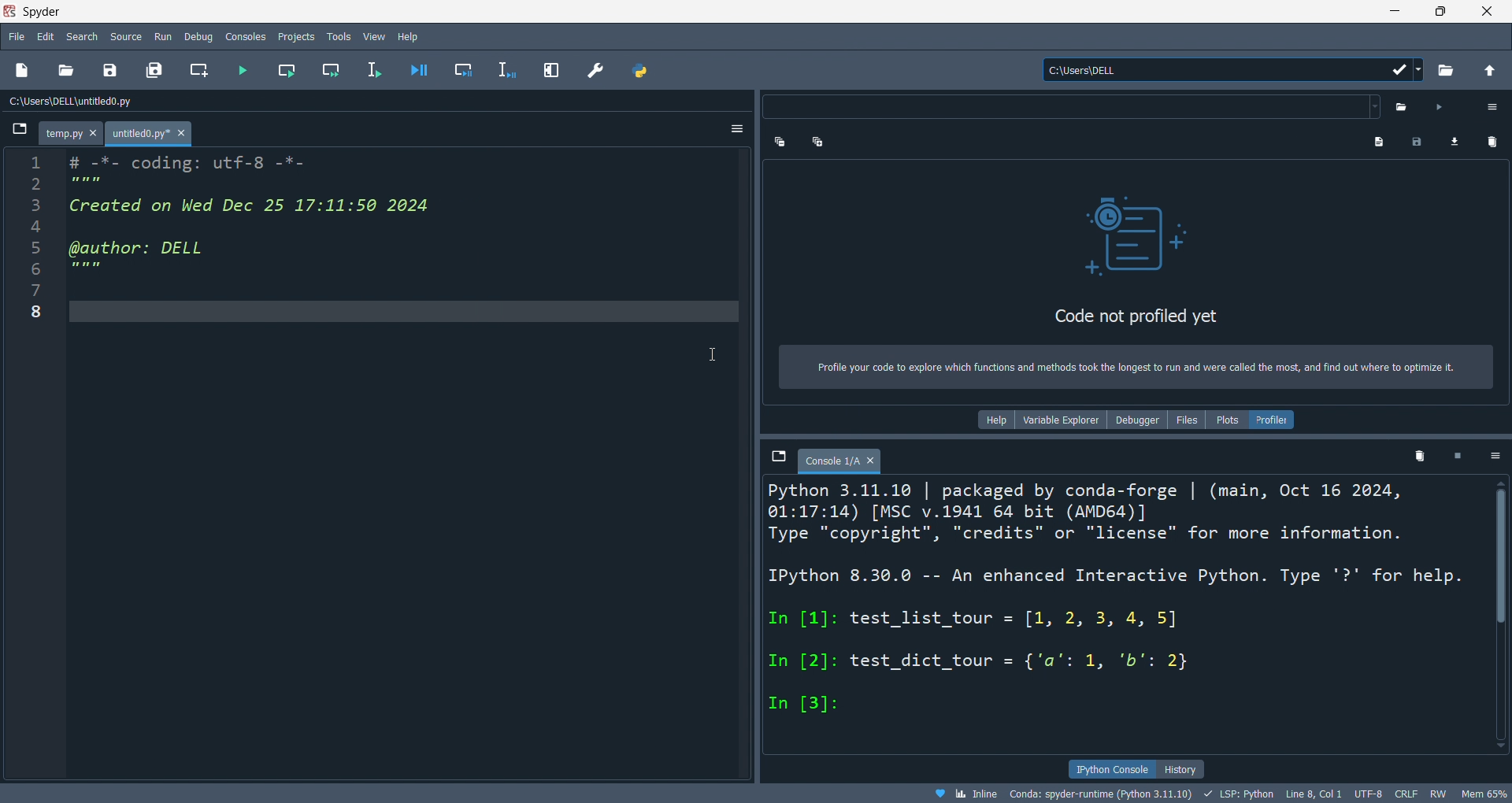 The width and height of the screenshot is (1512, 803). What do you see at coordinates (507, 69) in the screenshot?
I see `debug line` at bounding box center [507, 69].